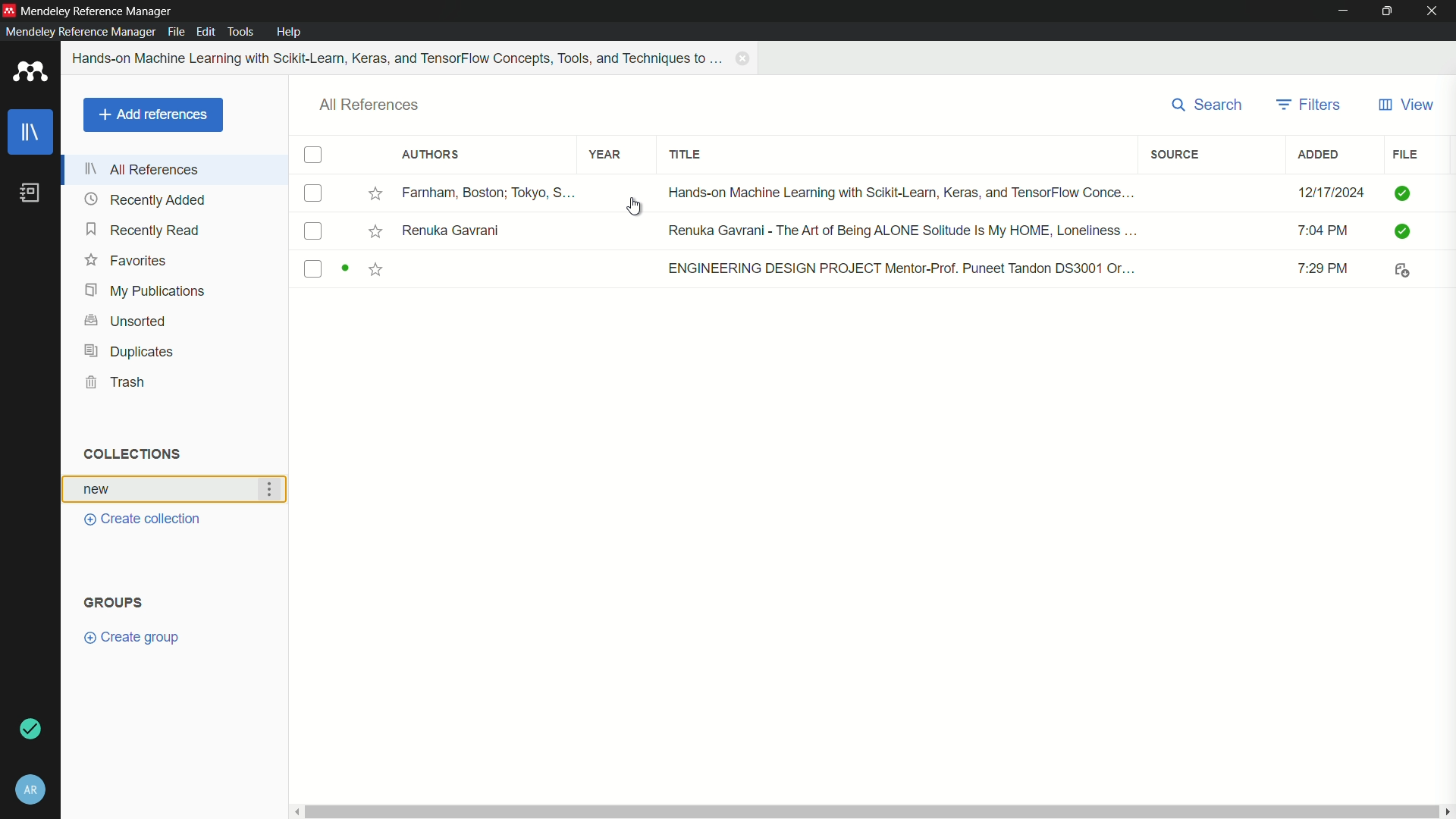 The width and height of the screenshot is (1456, 819). I want to click on search, so click(1209, 105).